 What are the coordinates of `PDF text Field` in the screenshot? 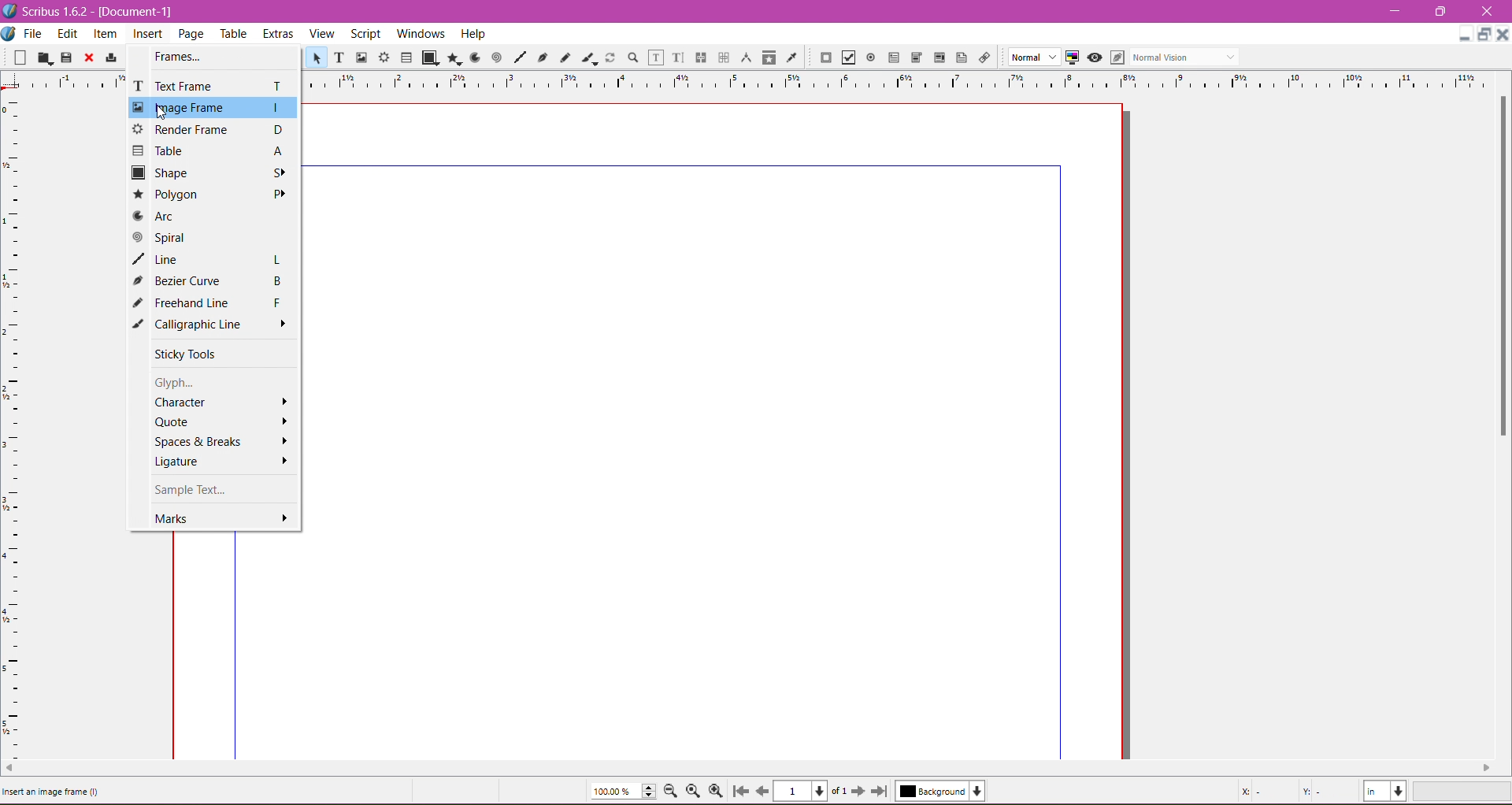 It's located at (894, 57).